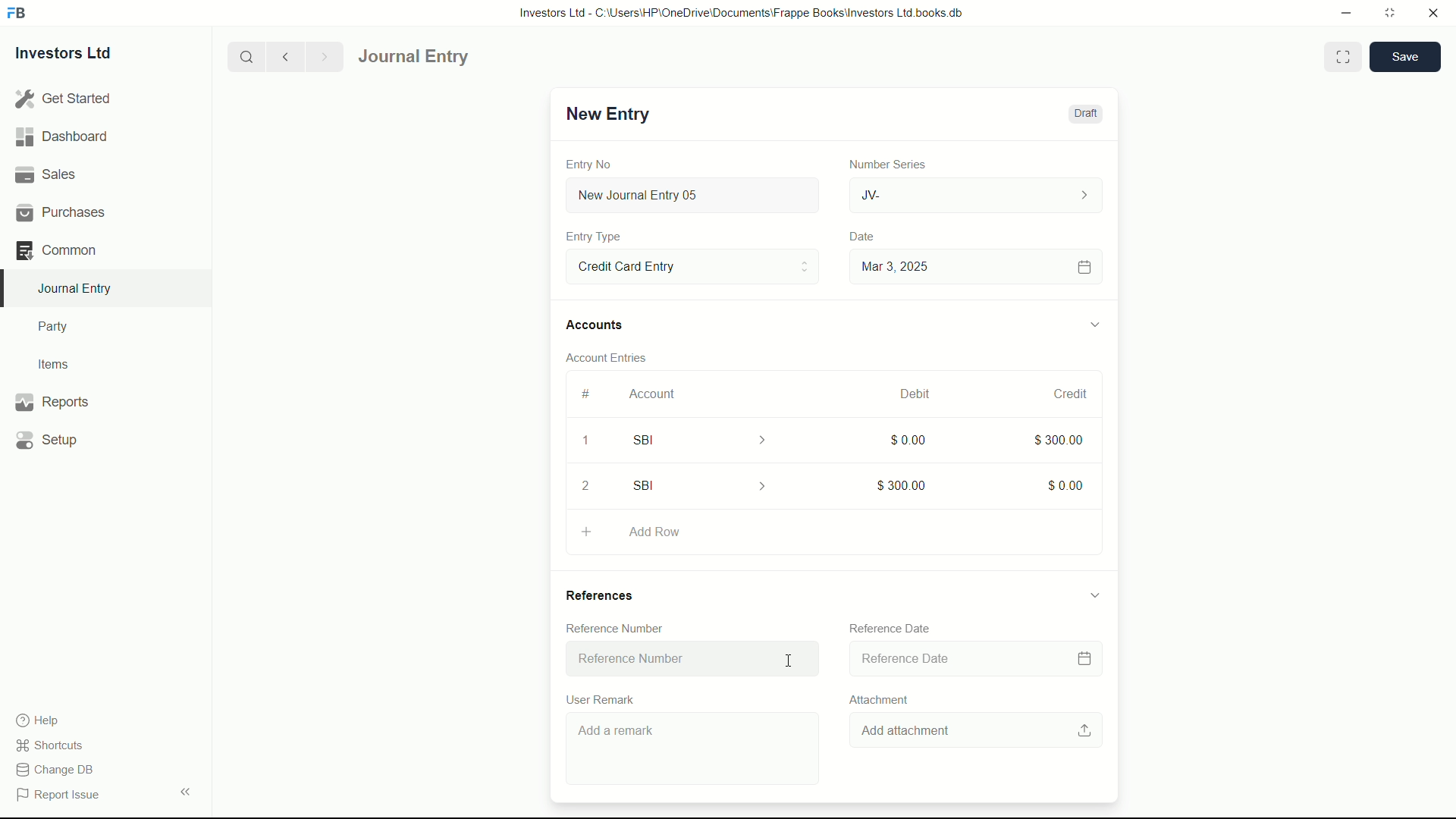 The image size is (1456, 819). What do you see at coordinates (322, 56) in the screenshot?
I see `Next` at bounding box center [322, 56].